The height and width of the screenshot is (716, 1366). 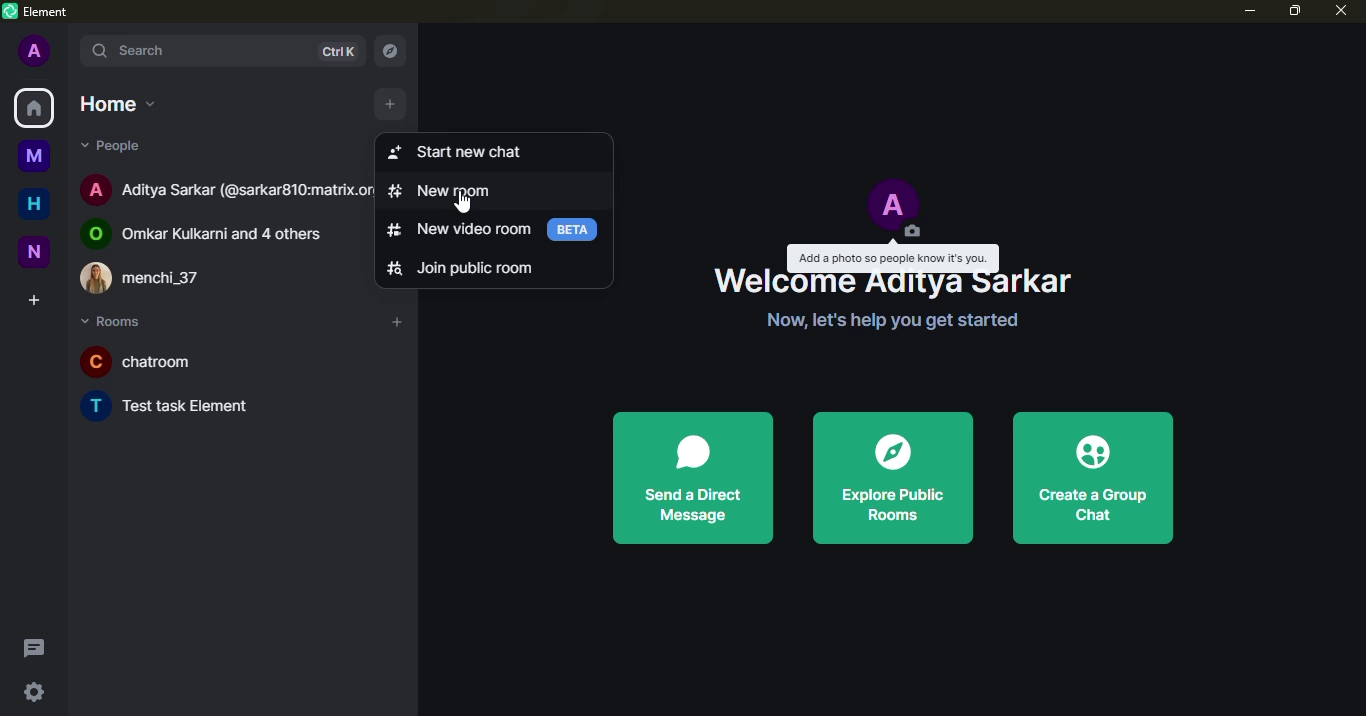 I want to click on now lets help you get started, so click(x=894, y=320).